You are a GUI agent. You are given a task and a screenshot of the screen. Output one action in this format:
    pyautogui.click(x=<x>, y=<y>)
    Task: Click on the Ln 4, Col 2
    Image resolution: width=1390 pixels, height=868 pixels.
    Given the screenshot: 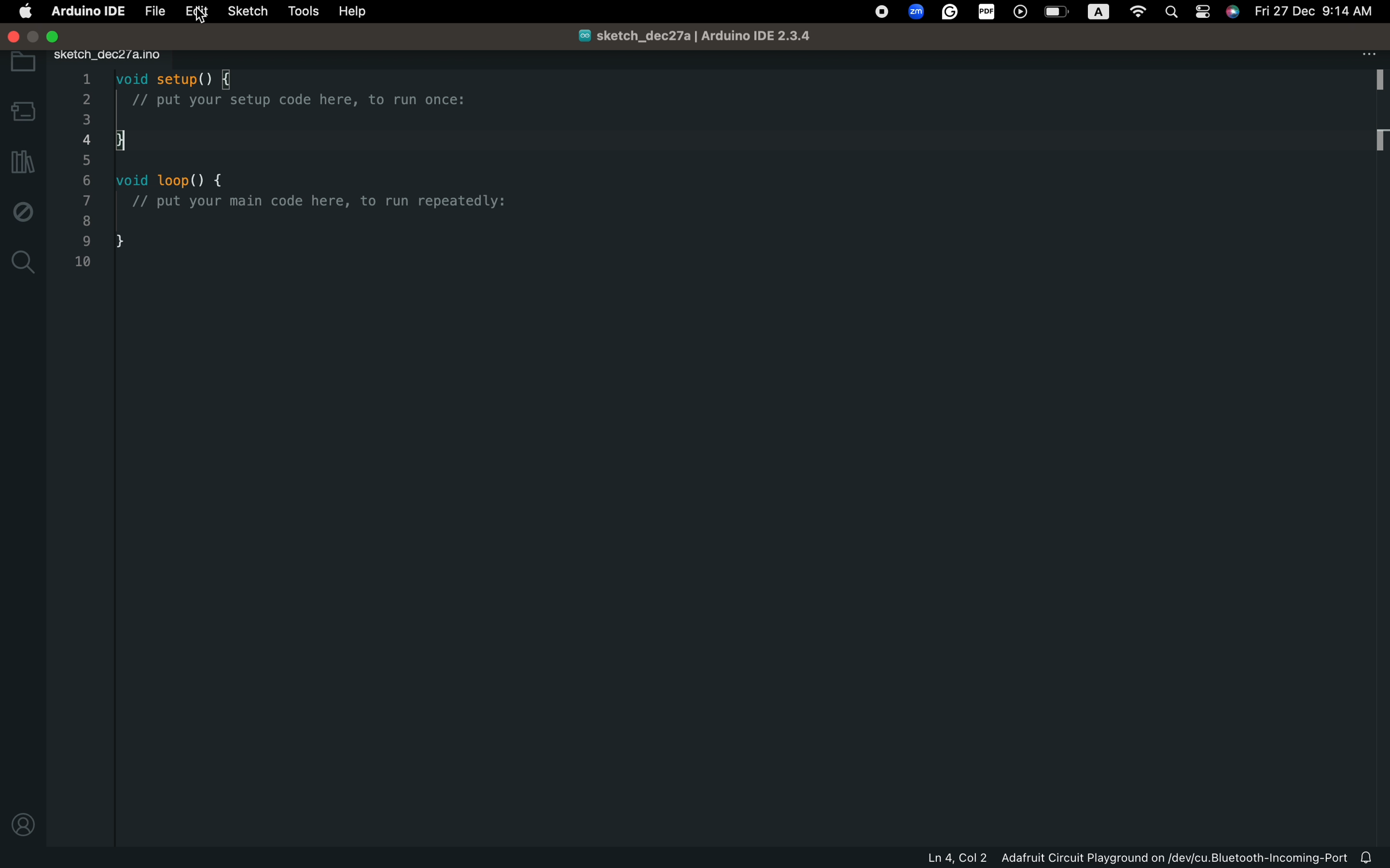 What is the action you would take?
    pyautogui.click(x=955, y=858)
    